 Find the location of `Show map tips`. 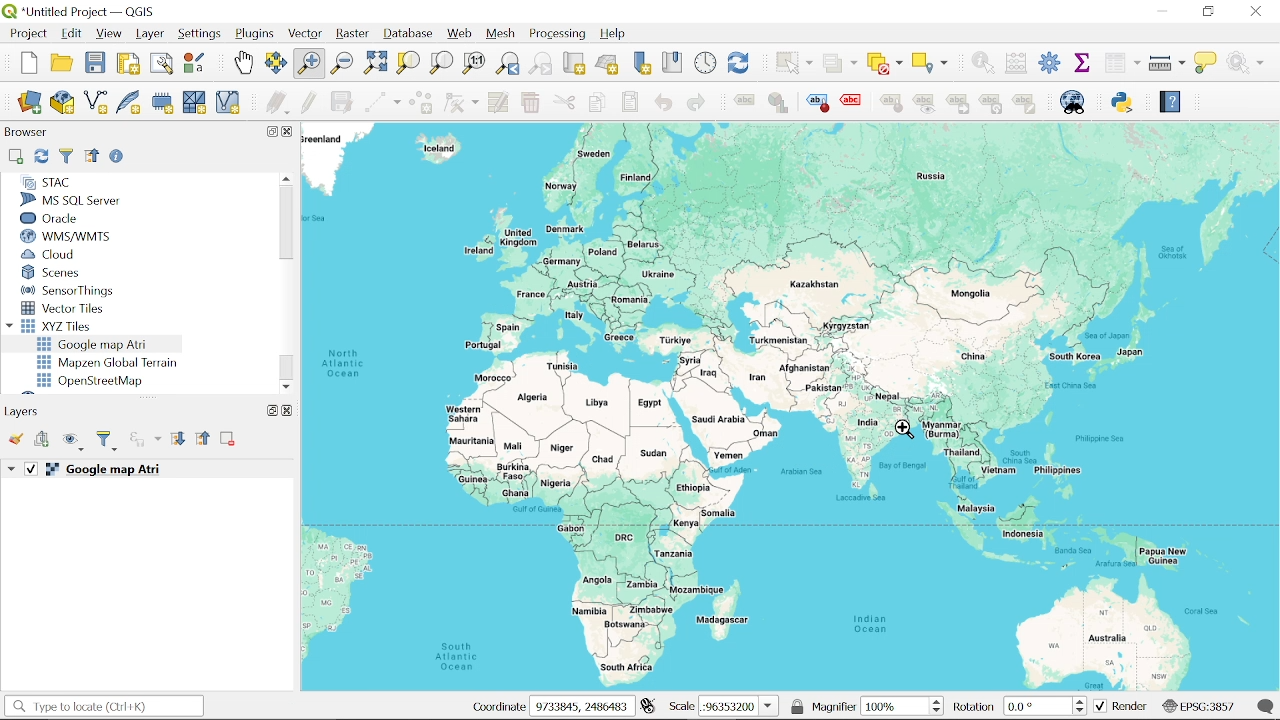

Show map tips is located at coordinates (1207, 62).